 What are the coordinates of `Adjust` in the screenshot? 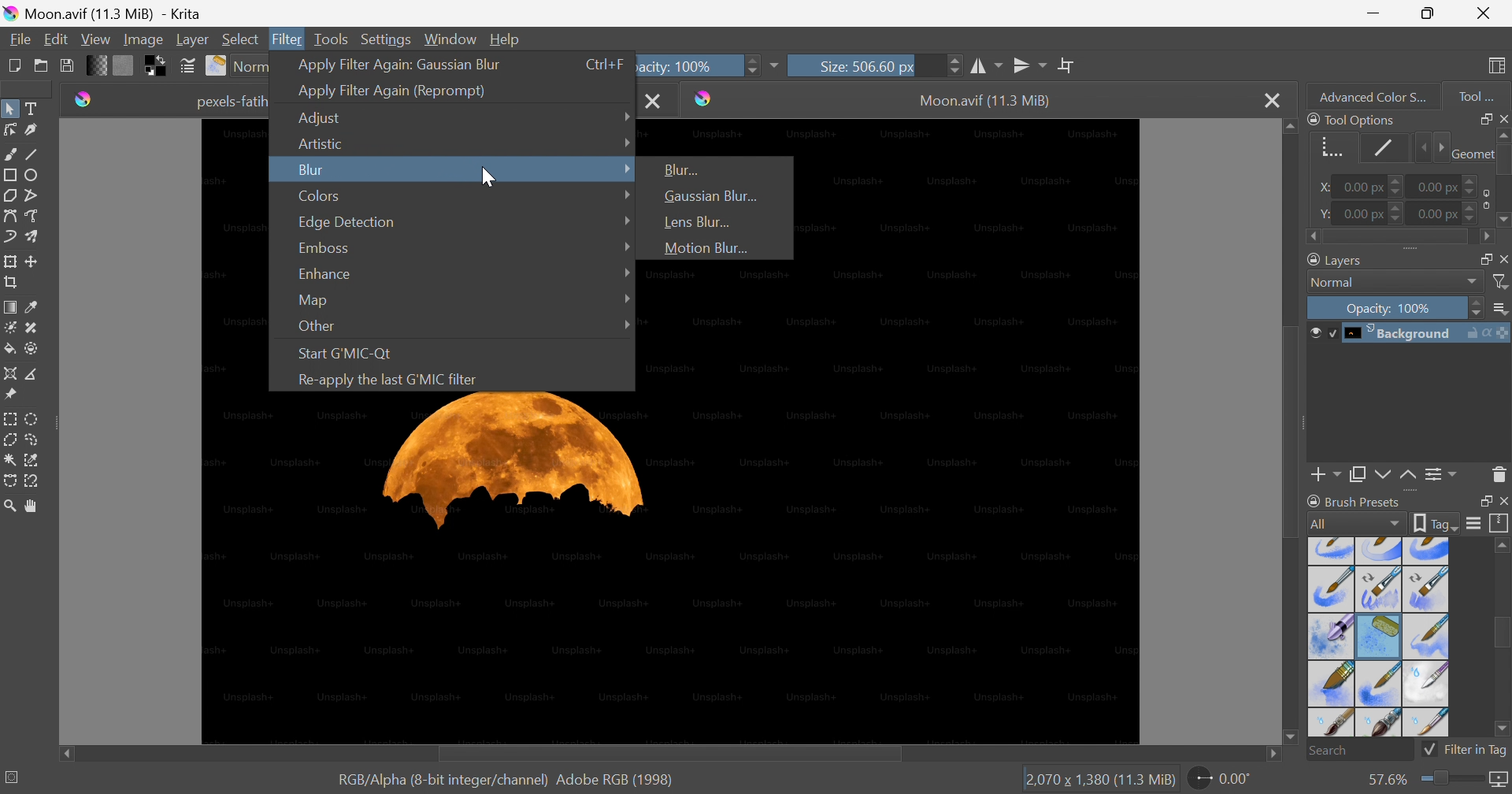 It's located at (322, 118).